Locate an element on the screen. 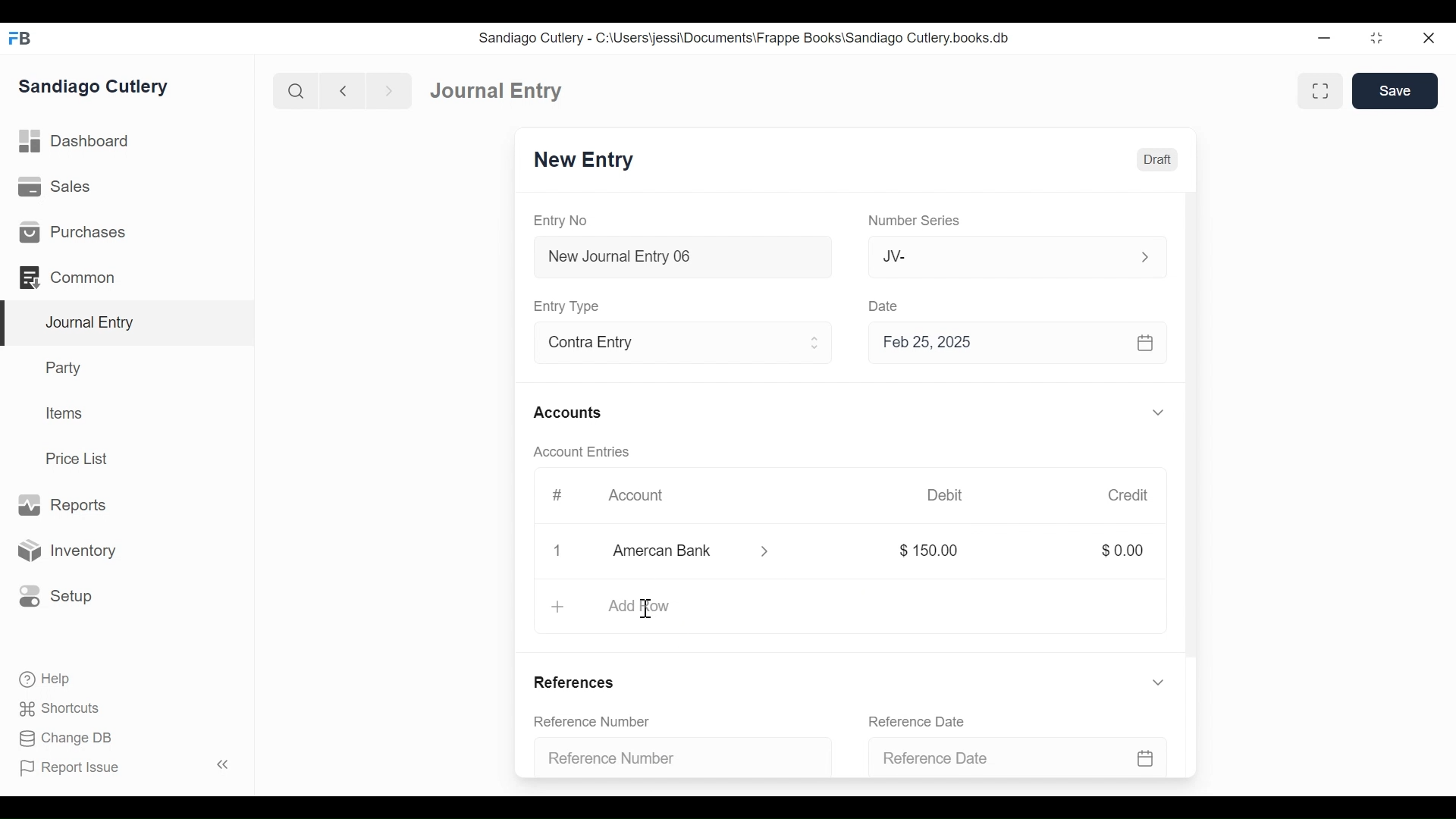 The height and width of the screenshot is (819, 1456). New Journal Entry 06 is located at coordinates (680, 259).